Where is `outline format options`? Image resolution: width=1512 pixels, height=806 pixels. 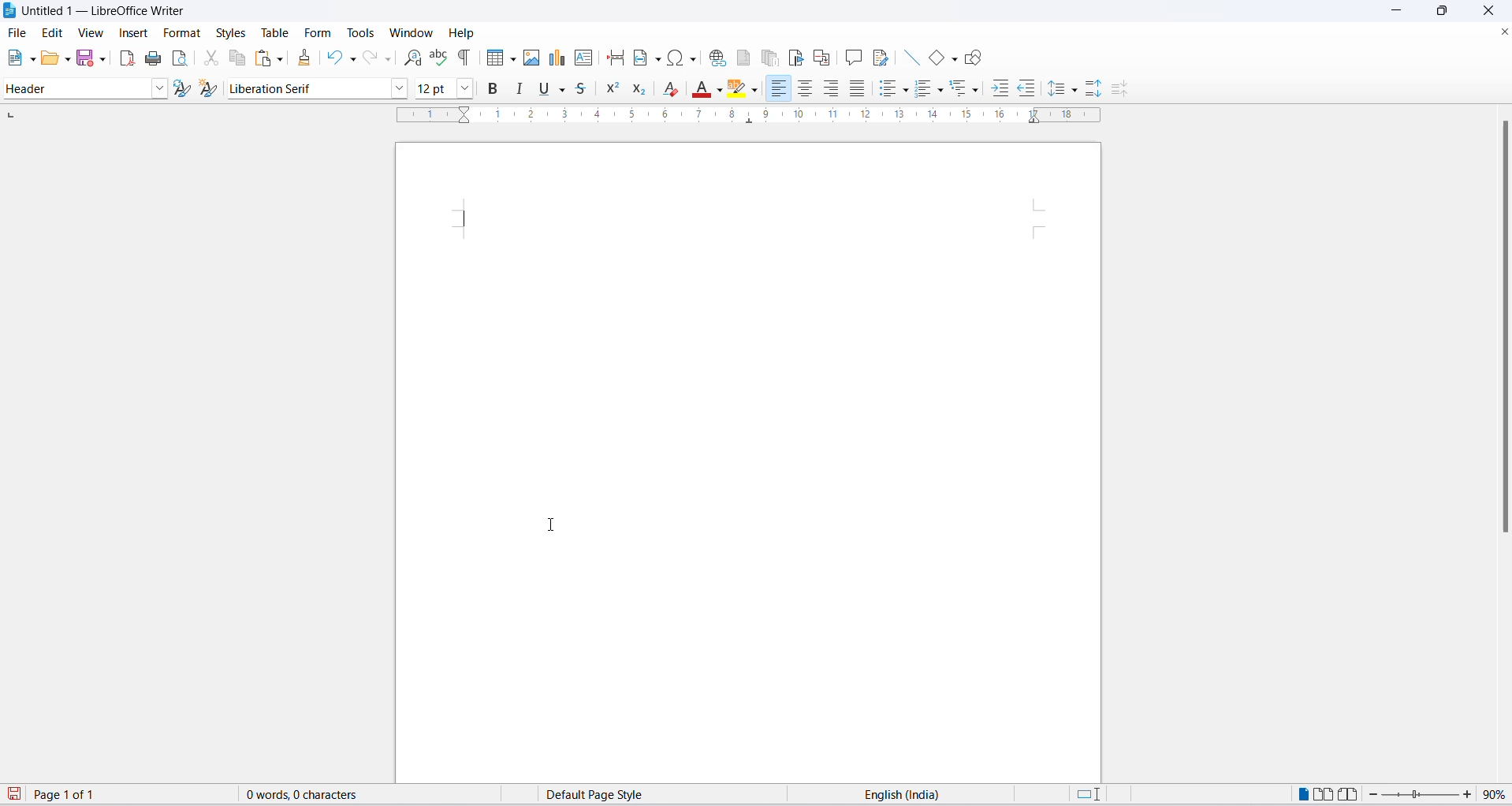
outline format options is located at coordinates (975, 91).